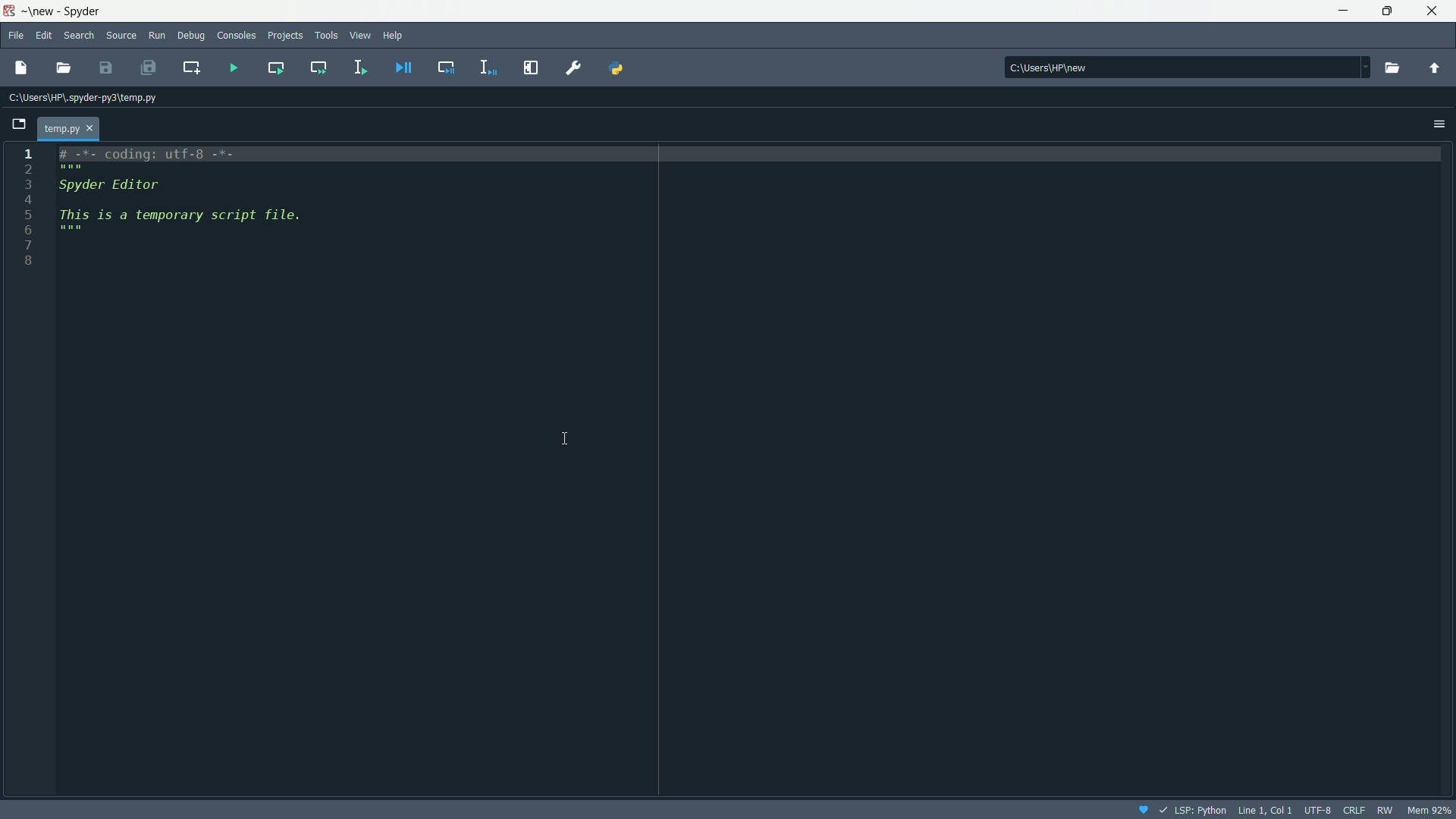 This screenshot has height=819, width=1456. I want to click on cursor, so click(564, 437).